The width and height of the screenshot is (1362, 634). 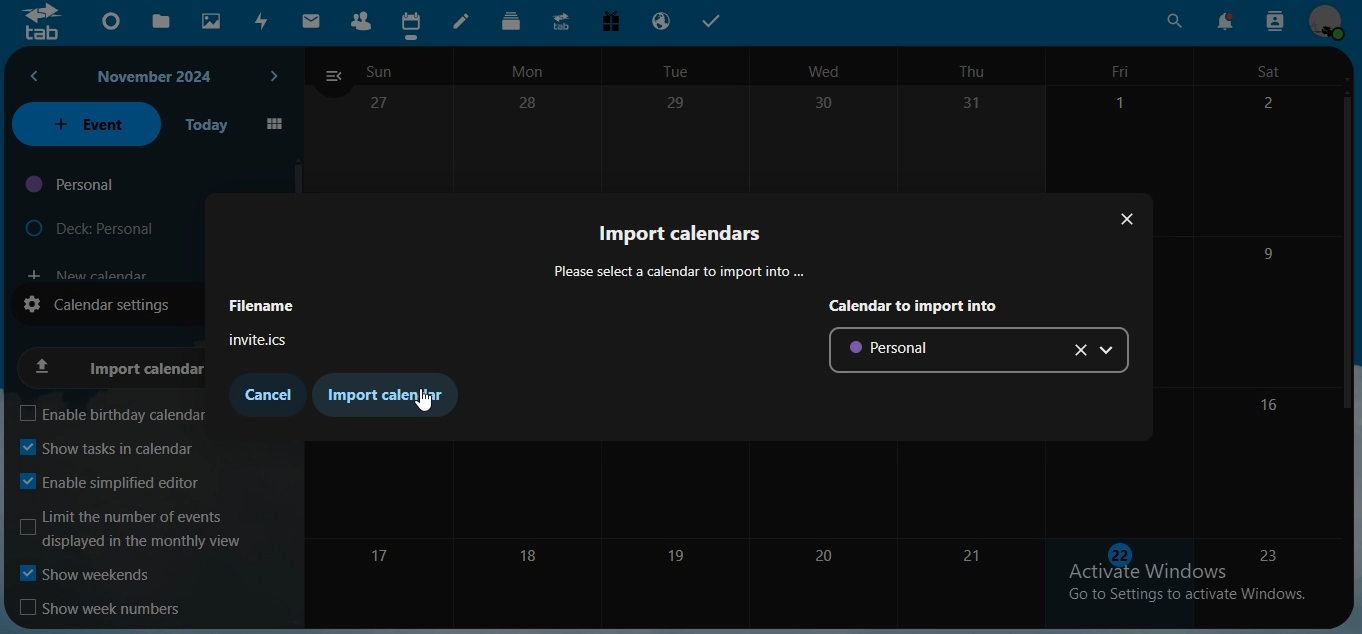 What do you see at coordinates (260, 306) in the screenshot?
I see `fiename` at bounding box center [260, 306].